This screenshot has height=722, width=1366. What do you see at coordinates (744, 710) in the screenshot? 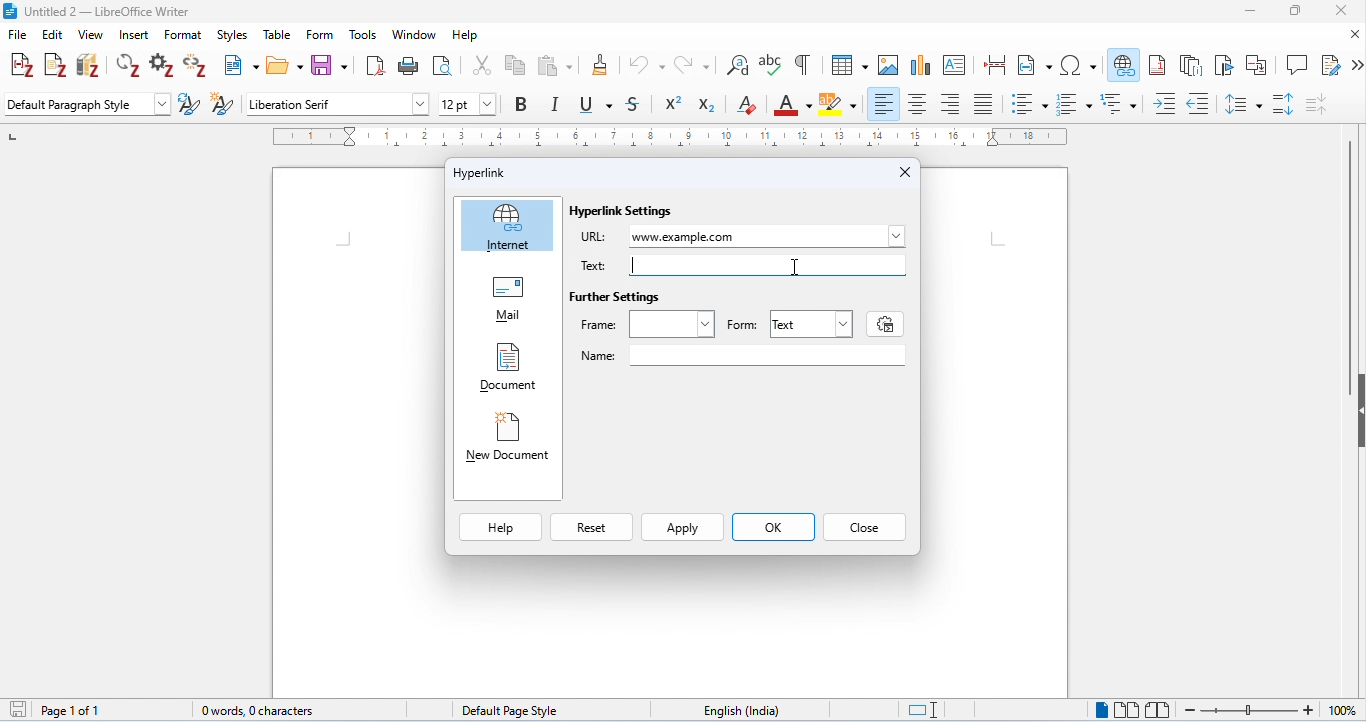
I see `language` at bounding box center [744, 710].